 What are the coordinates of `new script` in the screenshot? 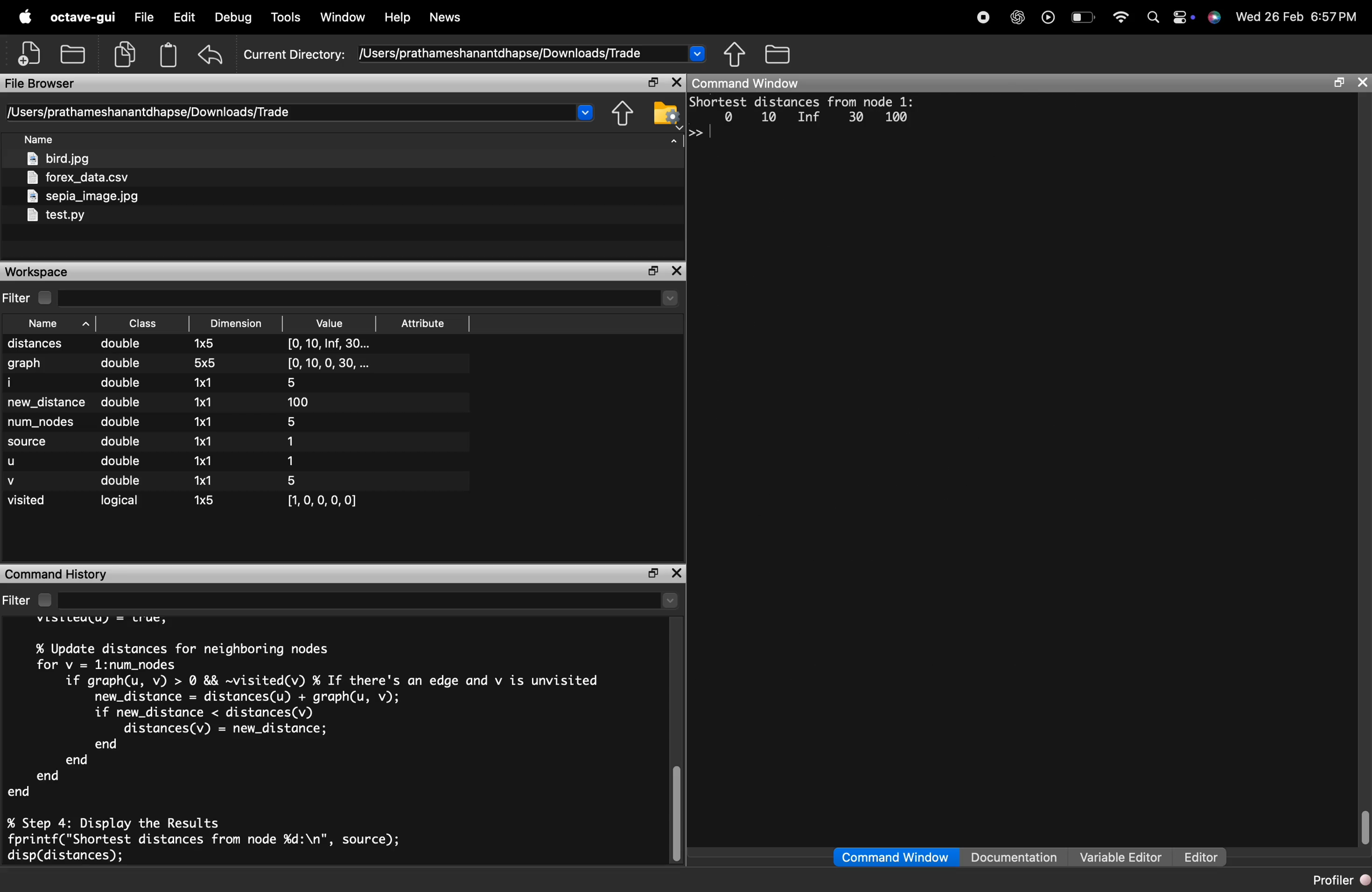 It's located at (31, 53).